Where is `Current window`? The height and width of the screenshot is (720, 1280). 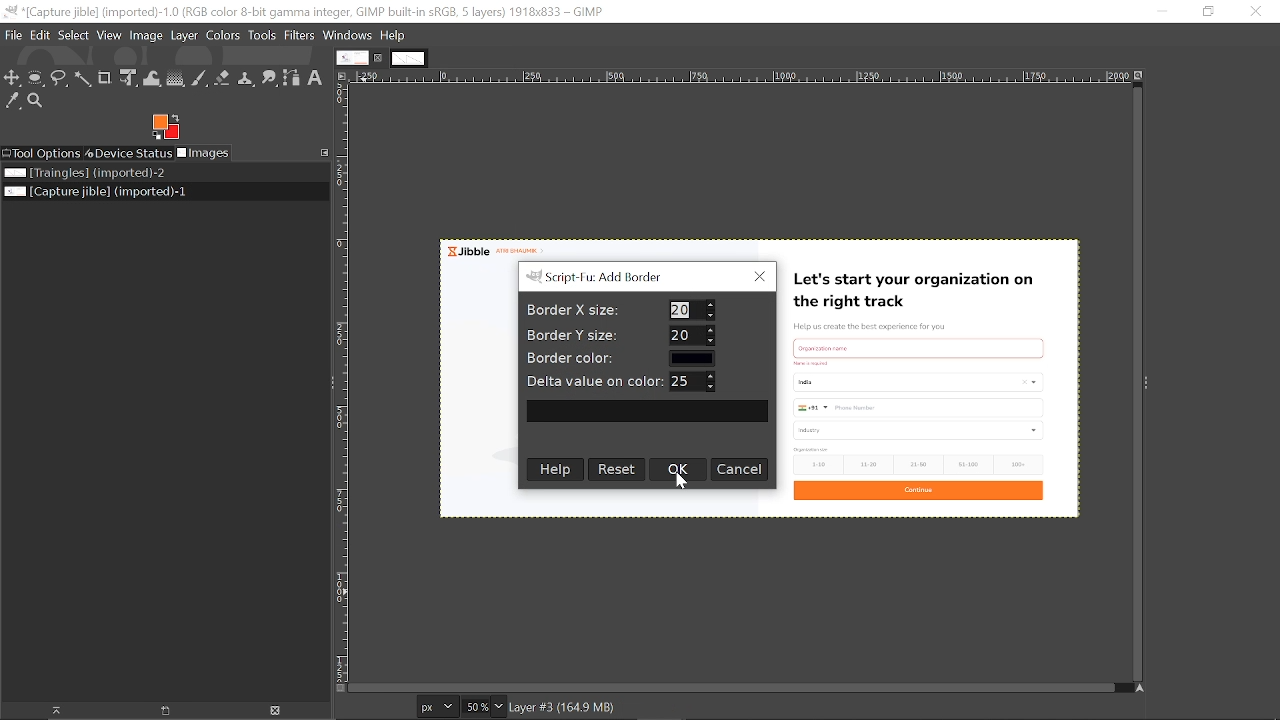
Current window is located at coordinates (310, 12).